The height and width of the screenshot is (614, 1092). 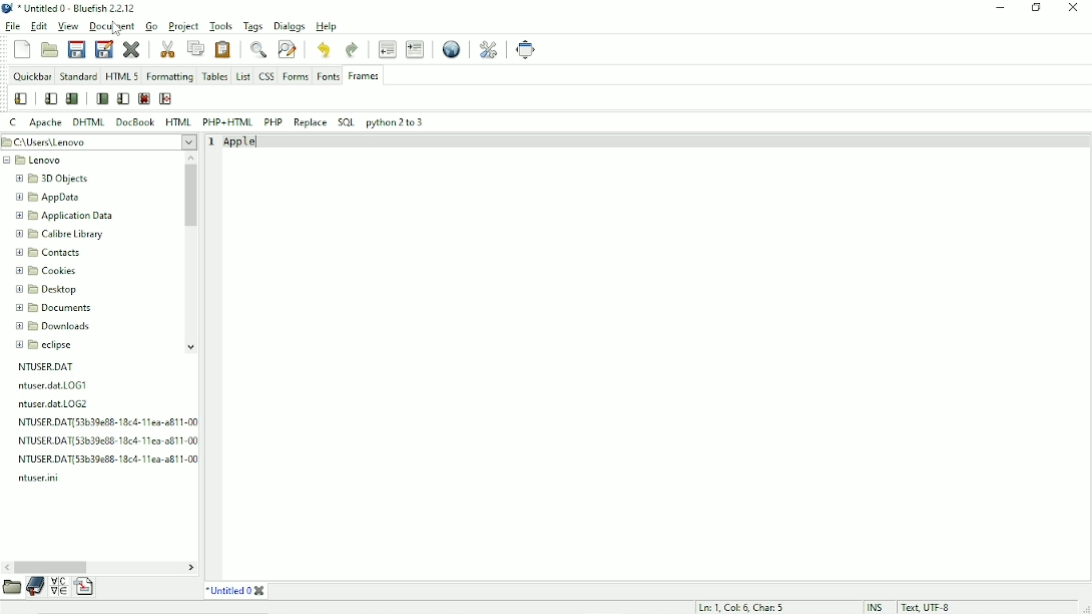 I want to click on SQL, so click(x=345, y=120).